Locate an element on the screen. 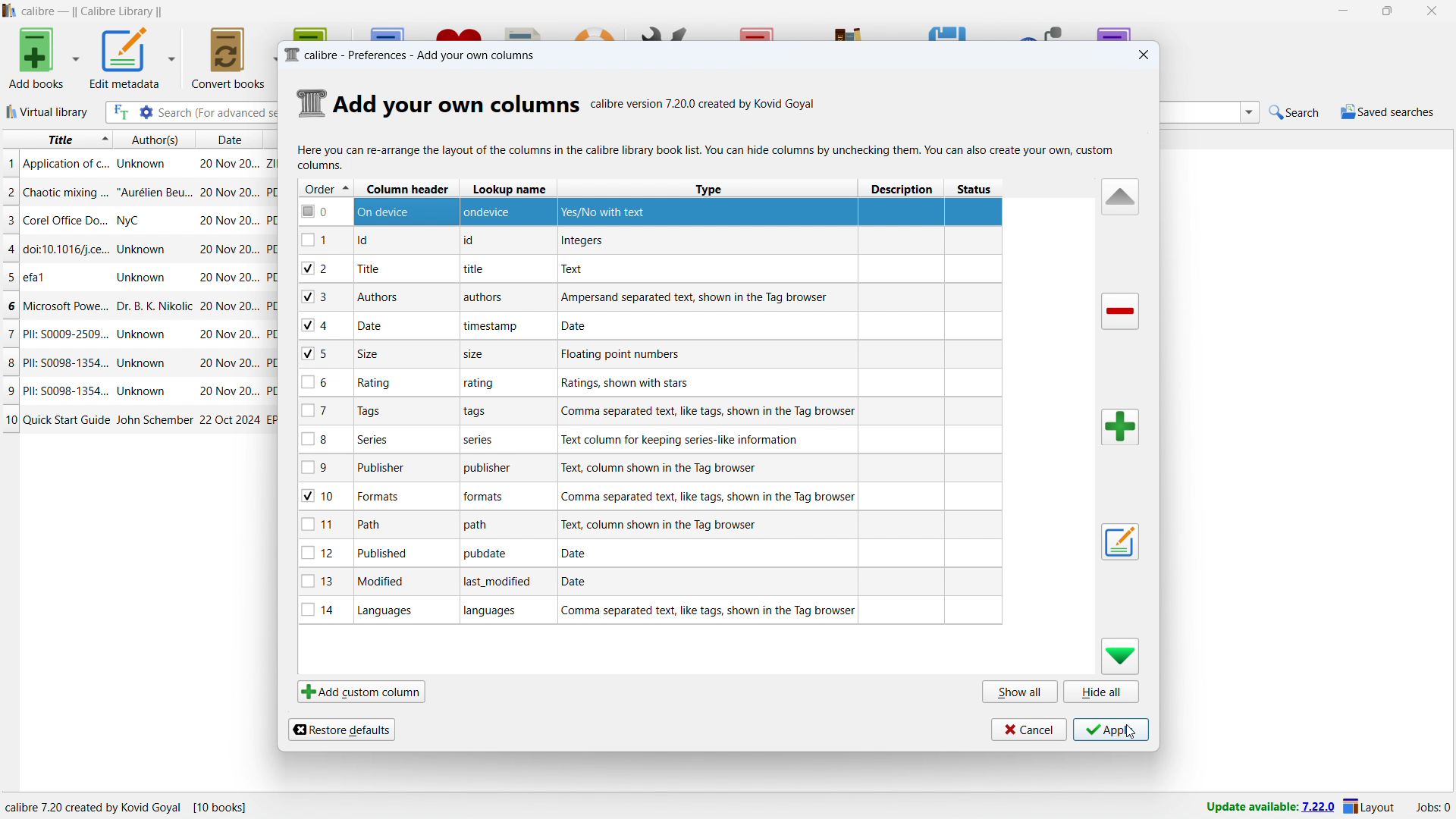  Type is located at coordinates (704, 190).